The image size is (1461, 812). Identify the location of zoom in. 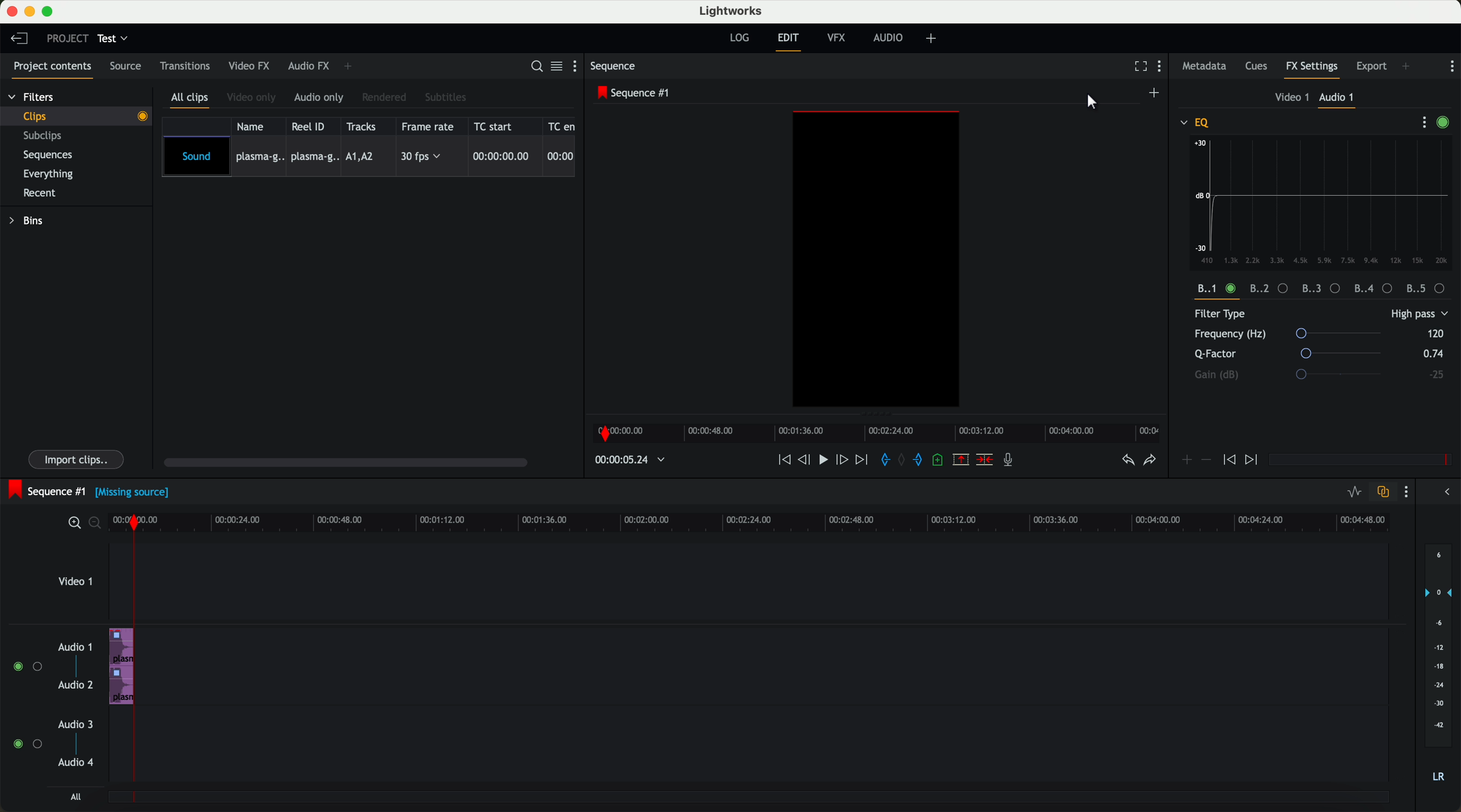
(74, 523).